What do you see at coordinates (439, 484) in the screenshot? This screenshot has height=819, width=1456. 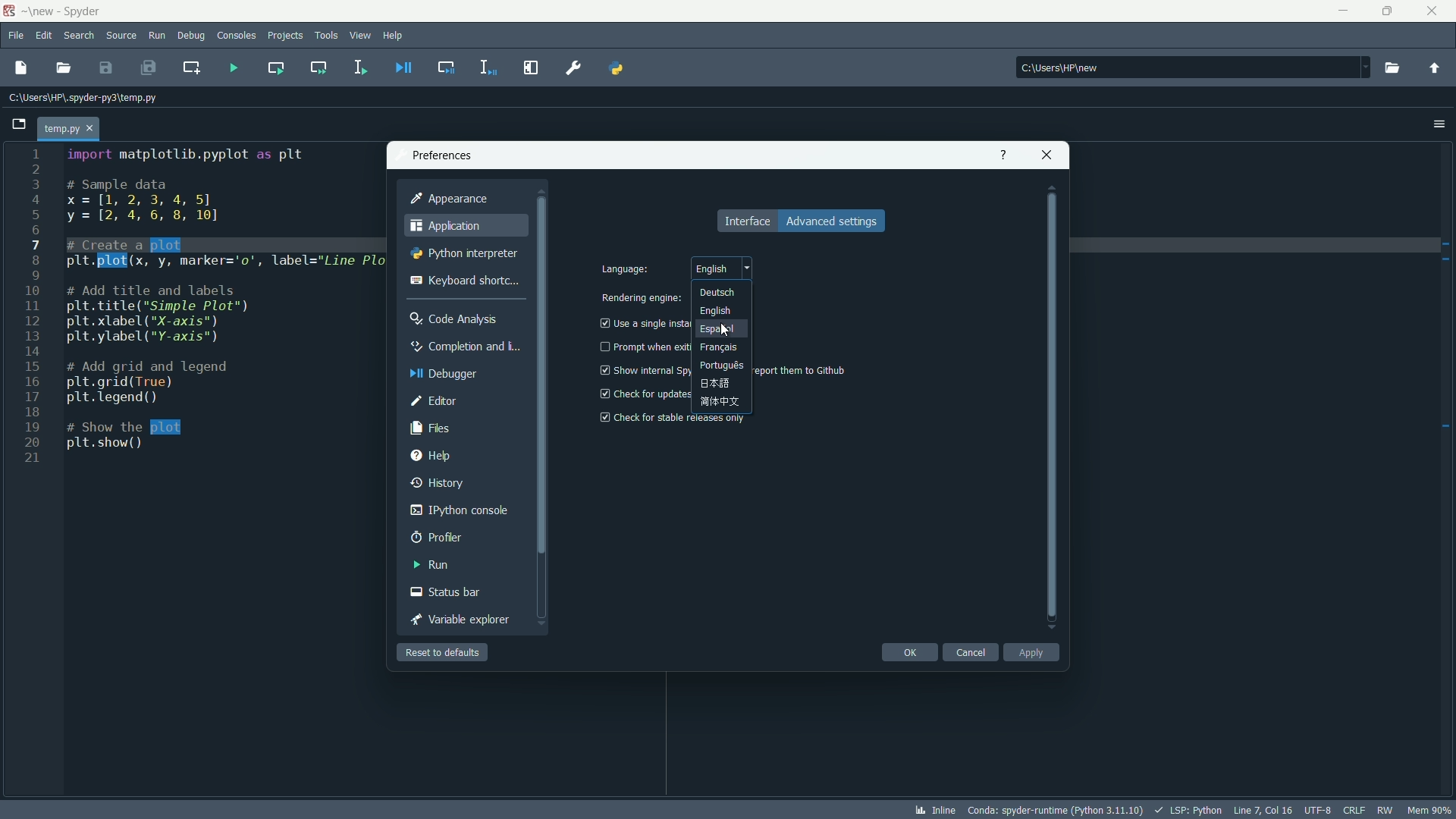 I see `history` at bounding box center [439, 484].